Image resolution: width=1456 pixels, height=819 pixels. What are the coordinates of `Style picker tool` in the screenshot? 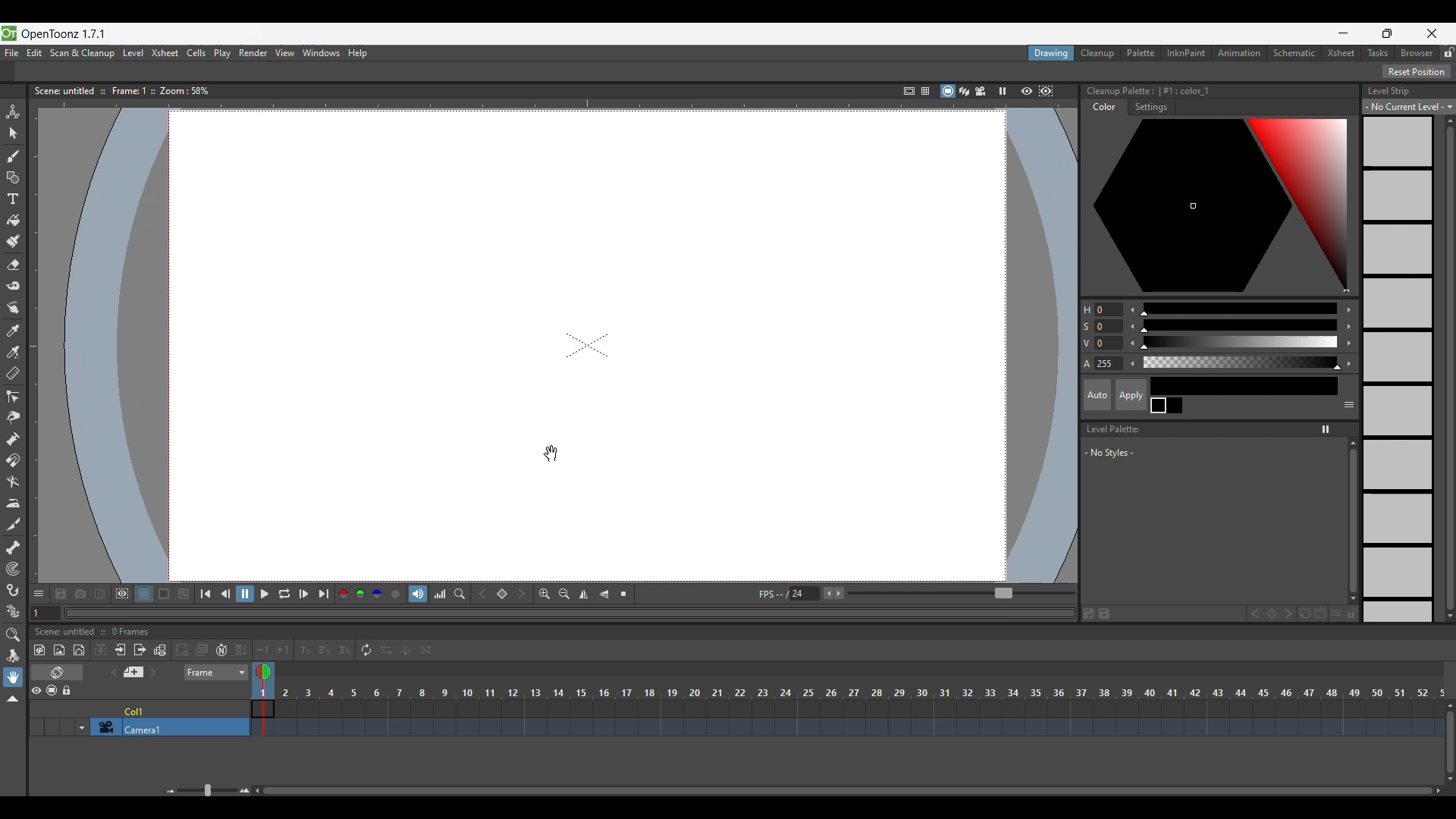 It's located at (13, 331).